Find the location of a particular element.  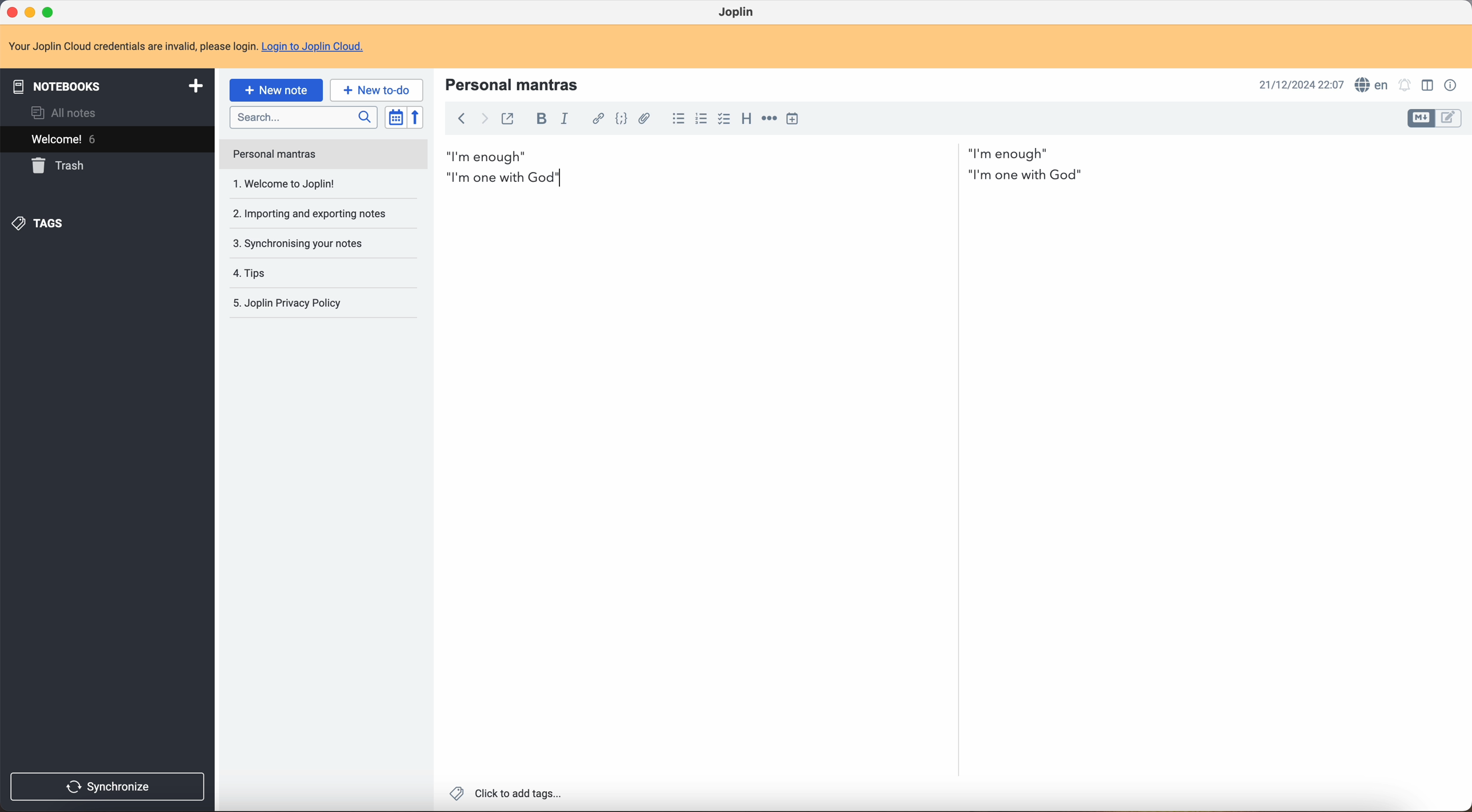

notebooks is located at coordinates (107, 85).